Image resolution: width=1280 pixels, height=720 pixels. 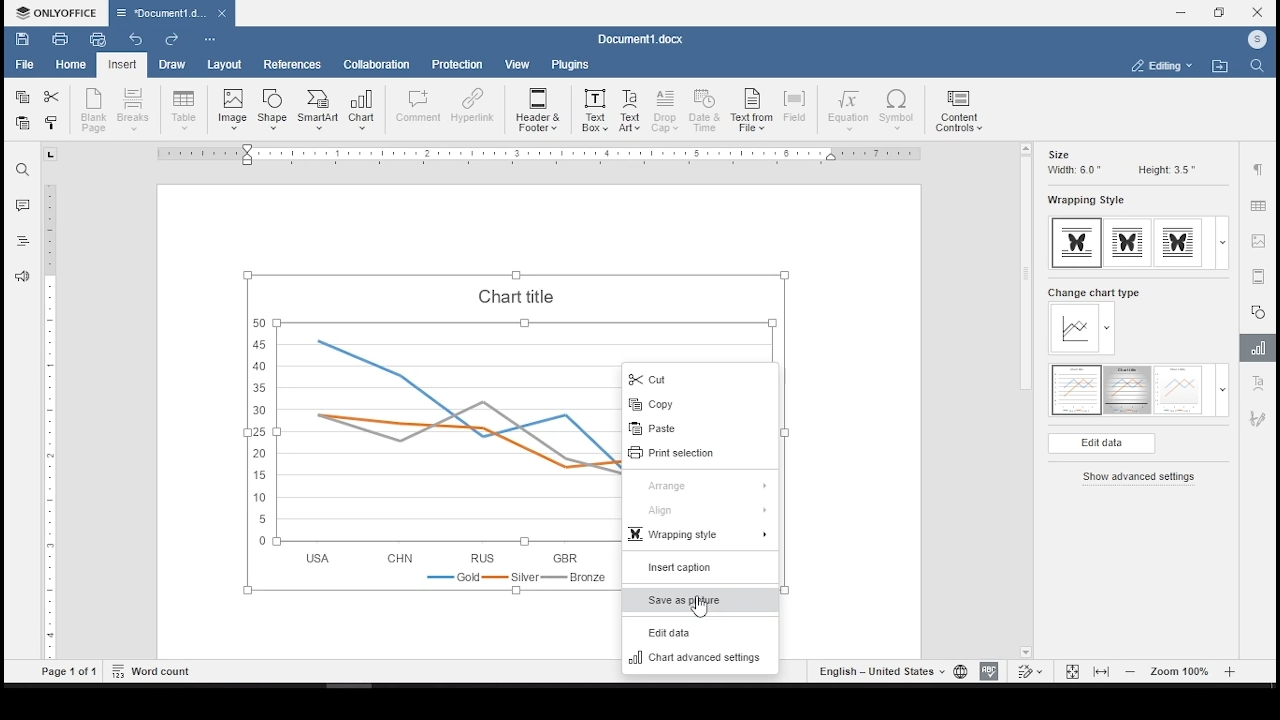 I want to click on draw, so click(x=173, y=64).